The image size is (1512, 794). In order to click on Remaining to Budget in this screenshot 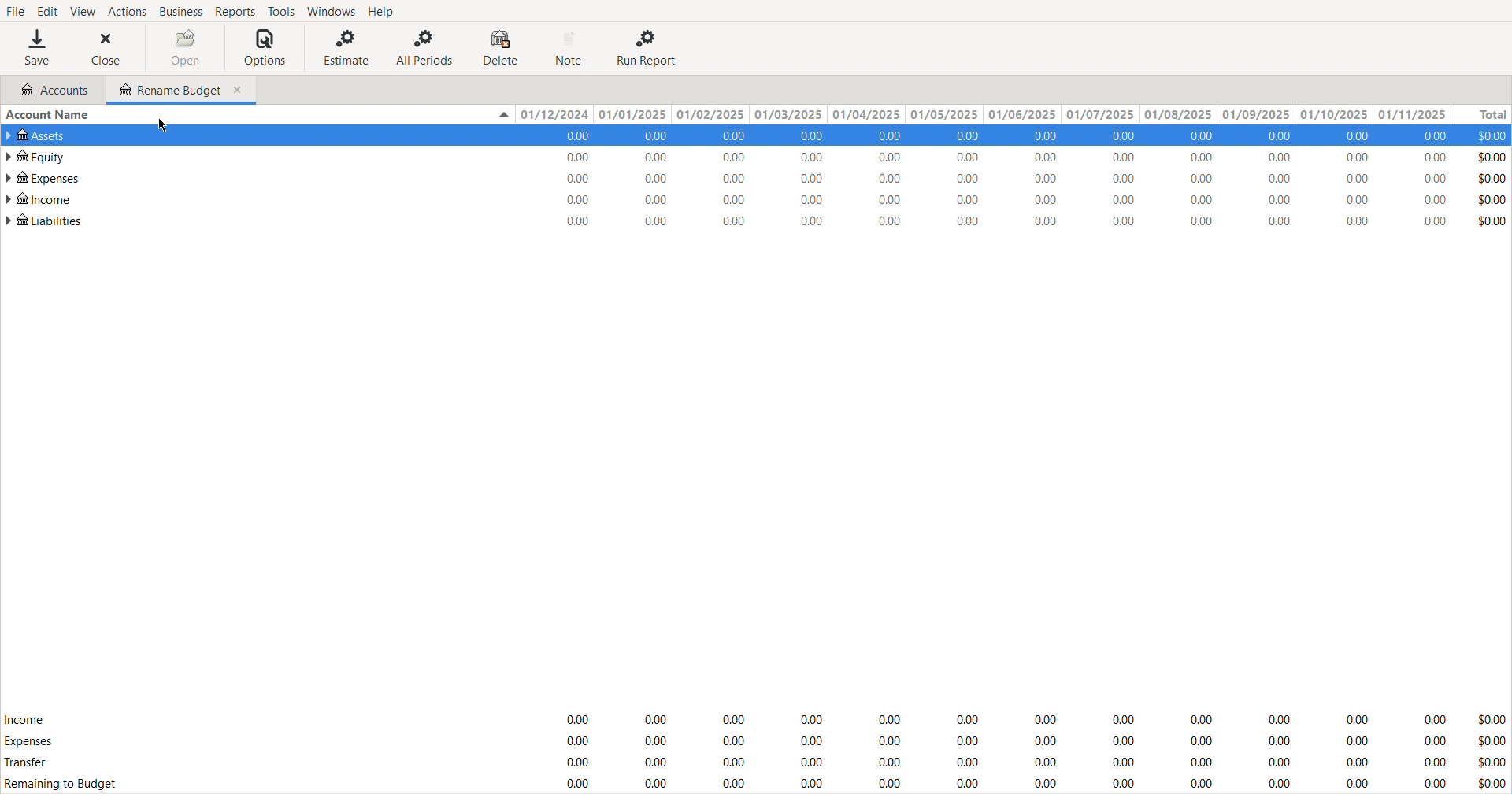, I will do `click(63, 785)`.